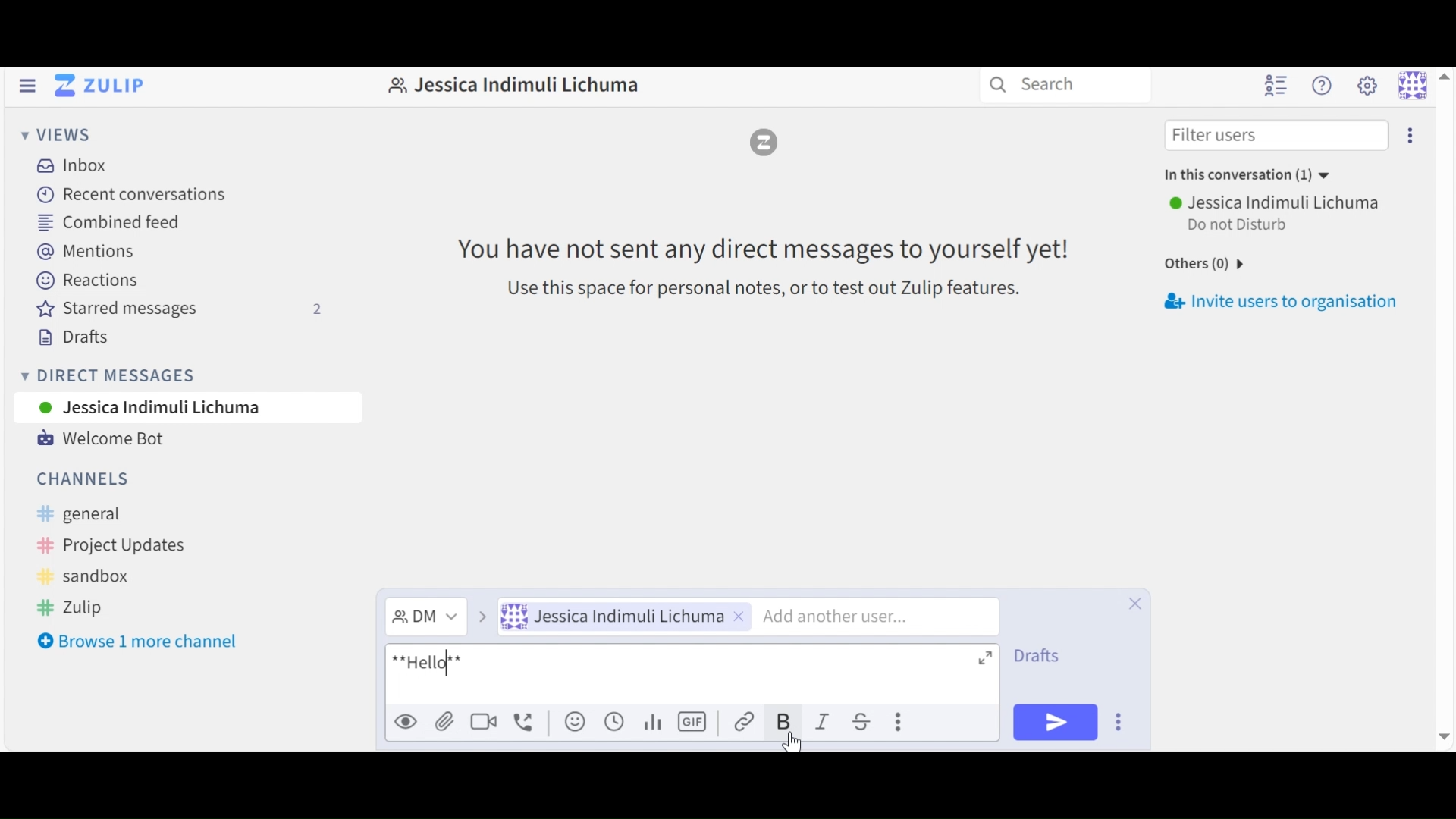  I want to click on sandbox, so click(89, 576).